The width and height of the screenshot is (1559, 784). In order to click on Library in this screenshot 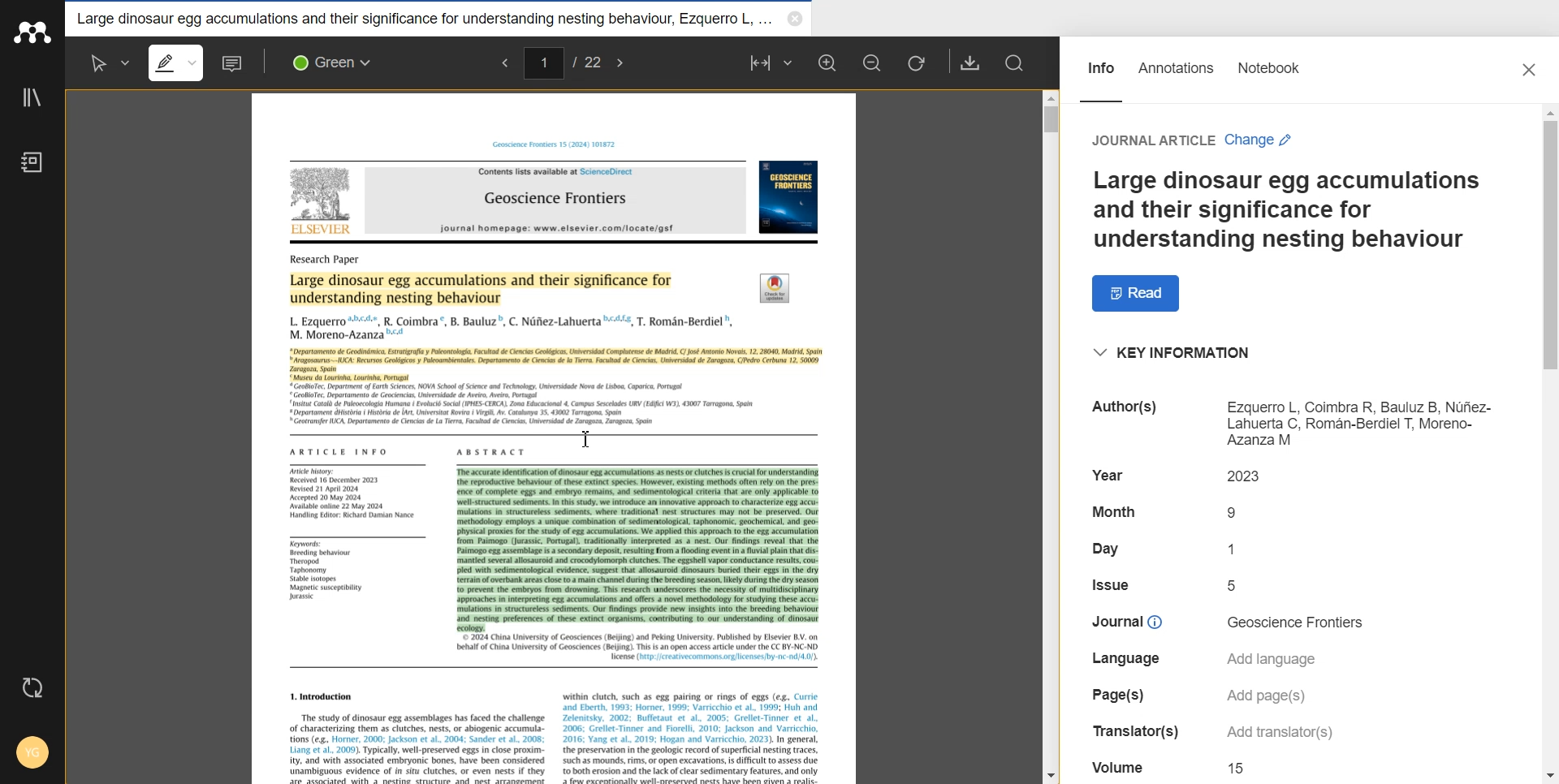, I will do `click(32, 98)`.